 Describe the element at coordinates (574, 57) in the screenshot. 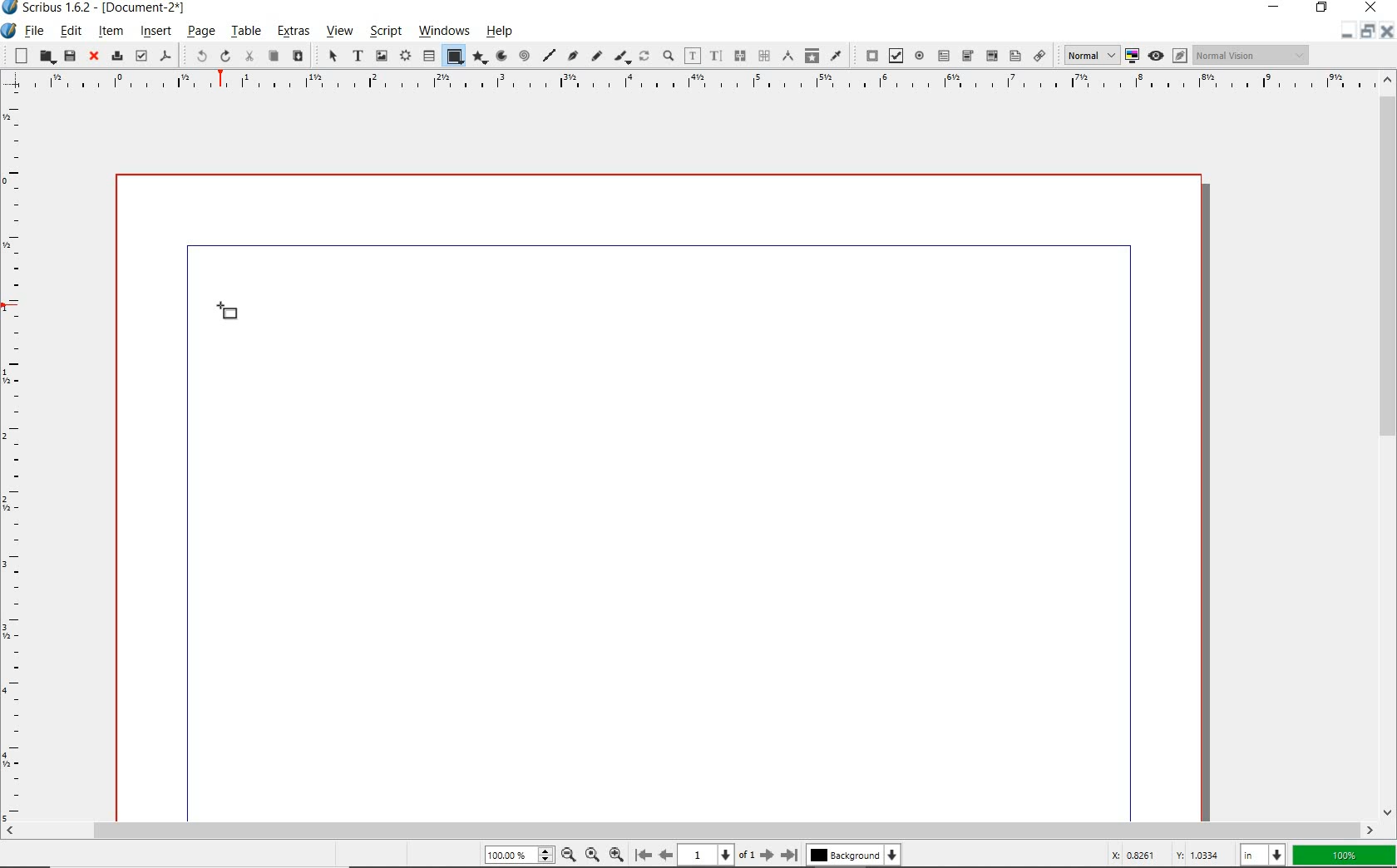

I see `Bezier curve` at that location.